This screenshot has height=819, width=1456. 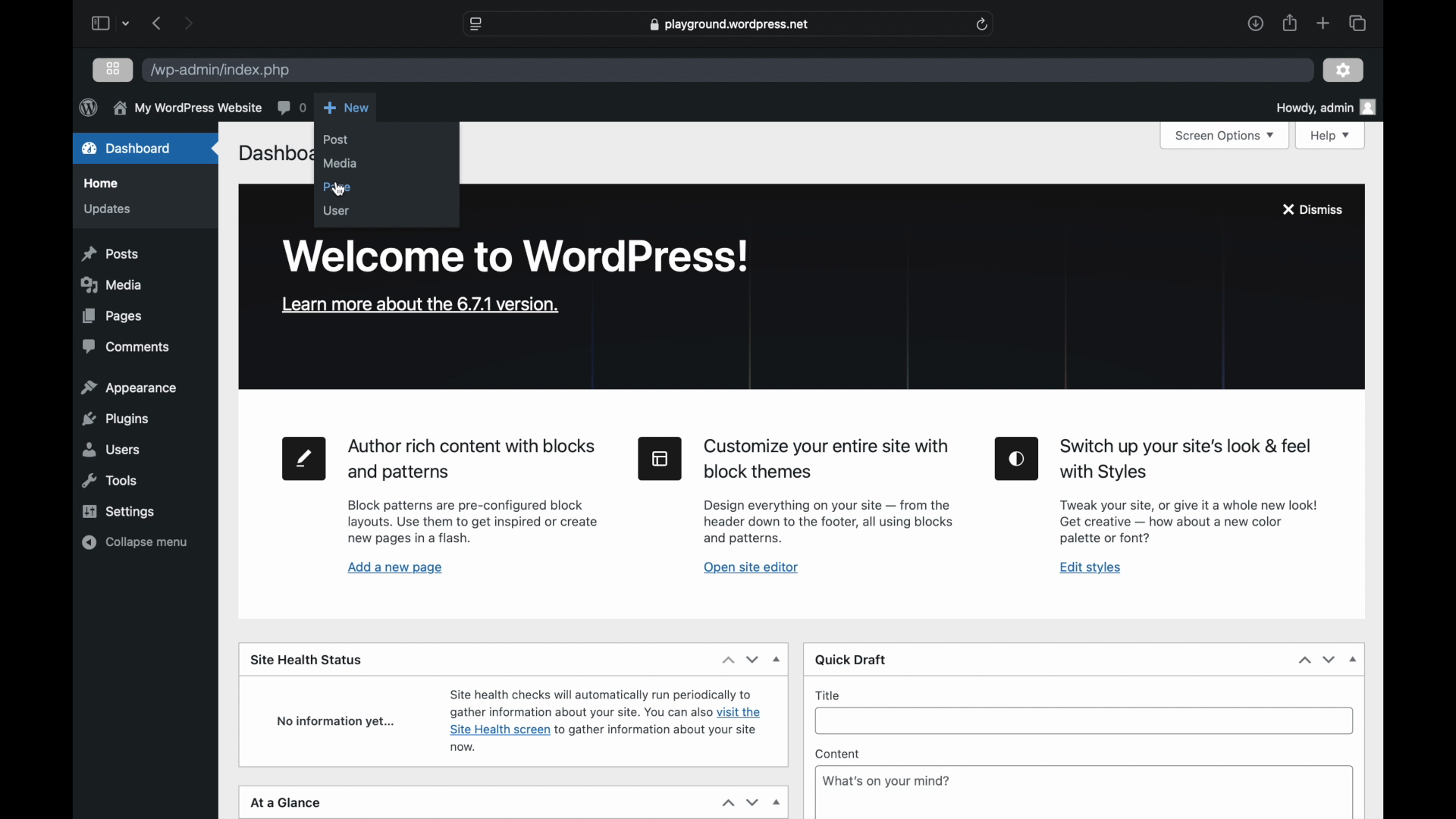 I want to click on open site editor, so click(x=752, y=567).